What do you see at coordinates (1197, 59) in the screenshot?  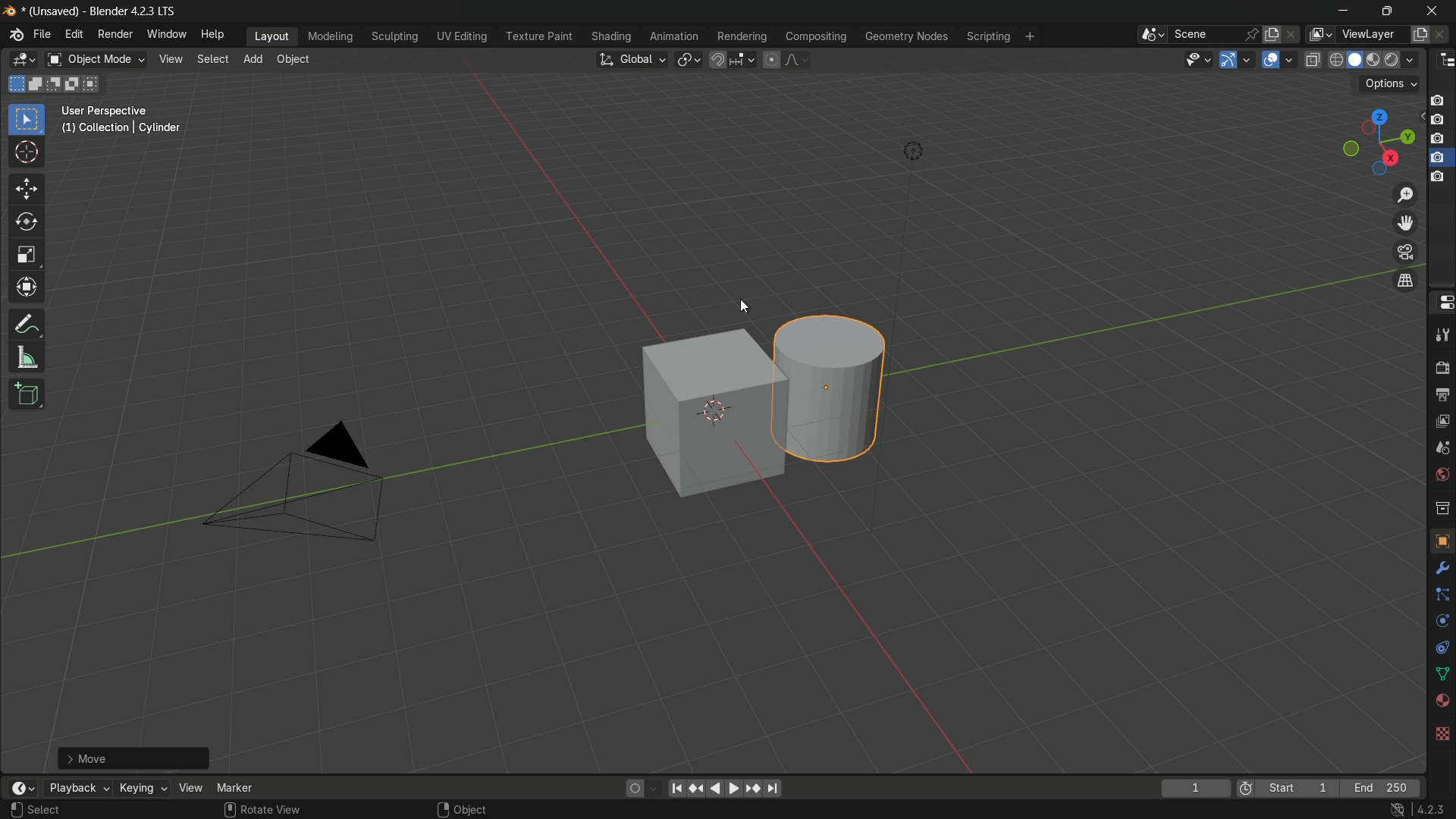 I see `selectability and visibility` at bounding box center [1197, 59].